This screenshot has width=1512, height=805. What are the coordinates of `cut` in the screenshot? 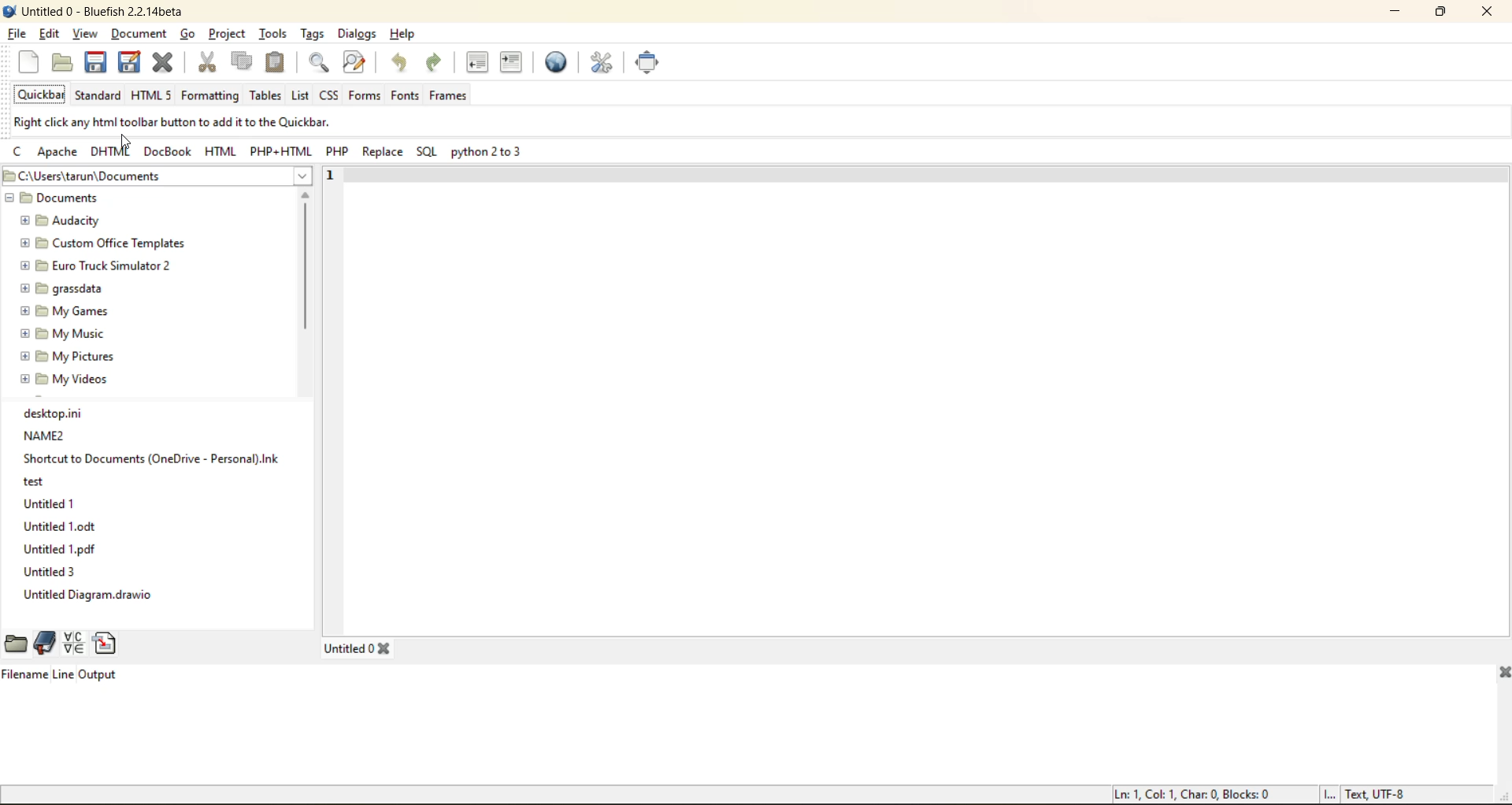 It's located at (209, 65).